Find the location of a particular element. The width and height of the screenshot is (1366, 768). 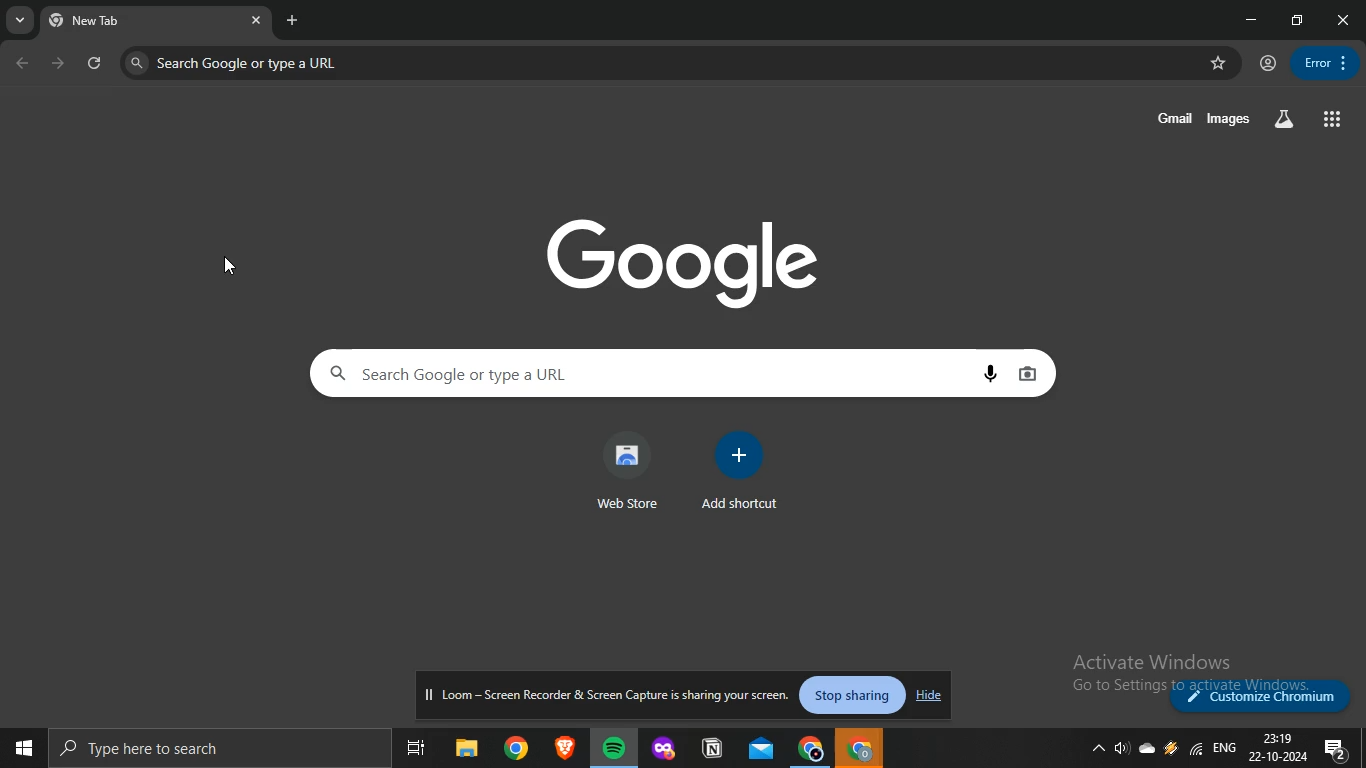

go to previous page is located at coordinates (24, 64).